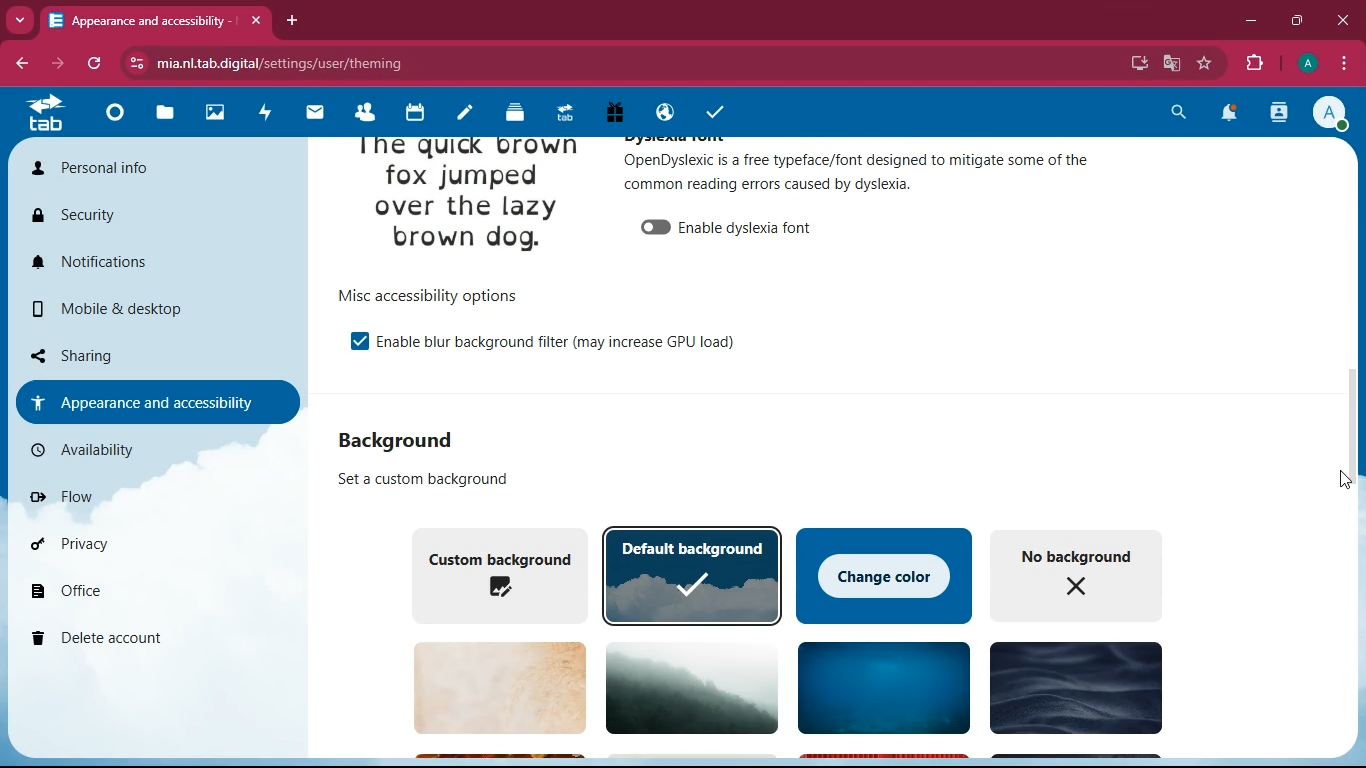 Image resolution: width=1366 pixels, height=768 pixels. What do you see at coordinates (661, 114) in the screenshot?
I see `public` at bounding box center [661, 114].